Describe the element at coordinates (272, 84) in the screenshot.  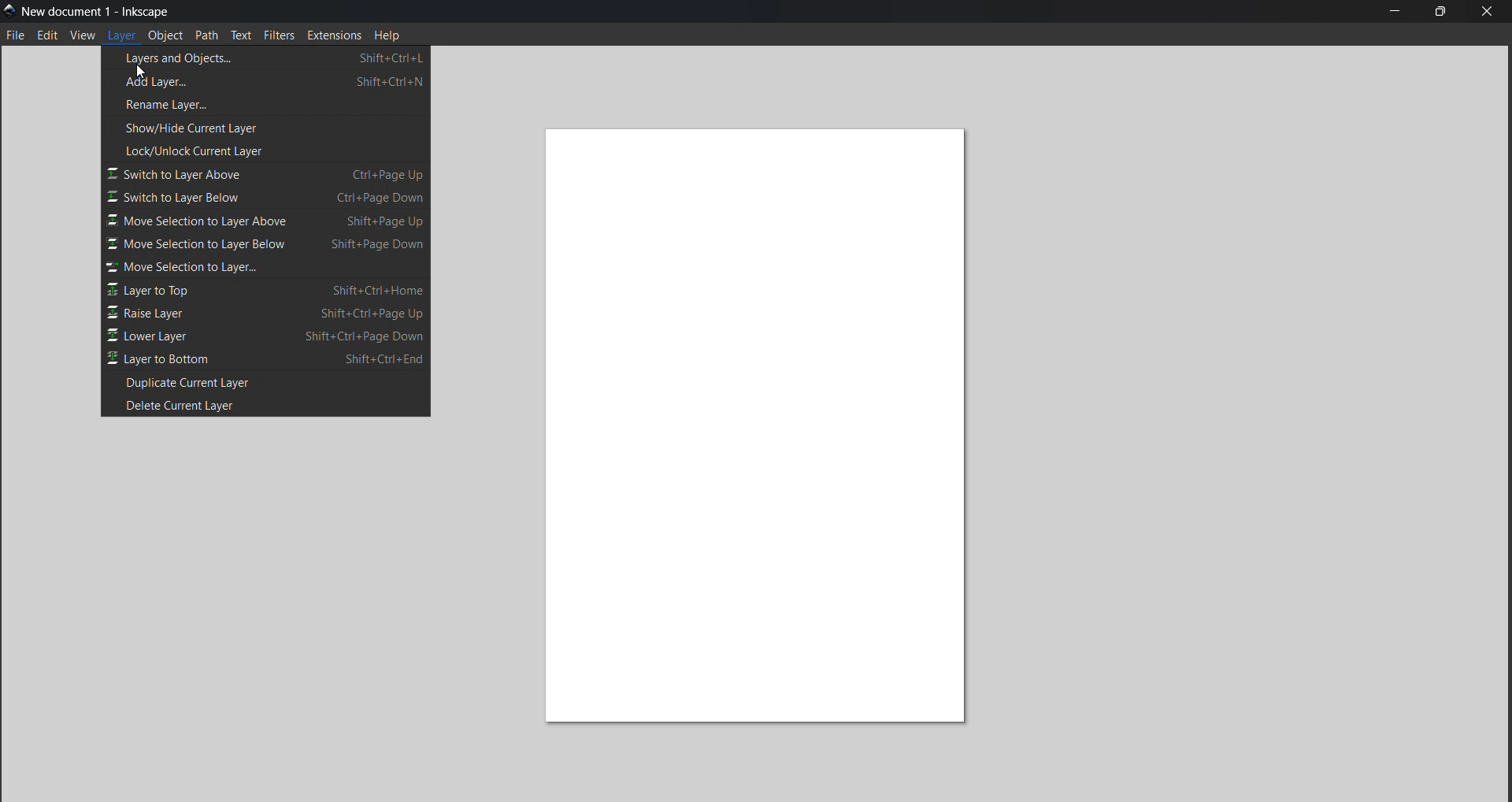
I see `add layer` at that location.